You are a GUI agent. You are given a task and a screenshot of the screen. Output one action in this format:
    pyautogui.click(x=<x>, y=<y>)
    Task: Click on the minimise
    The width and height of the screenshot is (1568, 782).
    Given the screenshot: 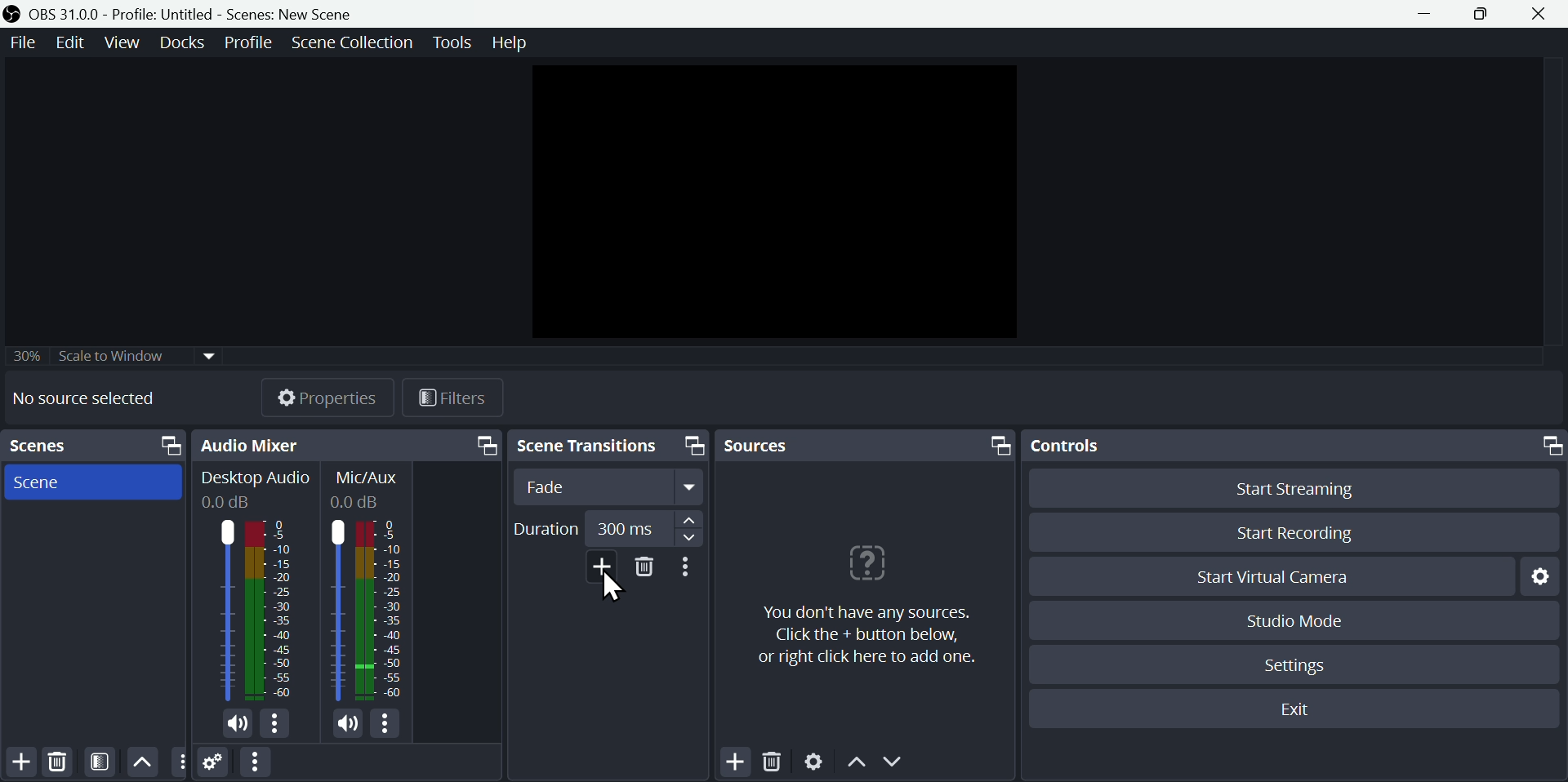 What is the action you would take?
    pyautogui.click(x=1430, y=14)
    